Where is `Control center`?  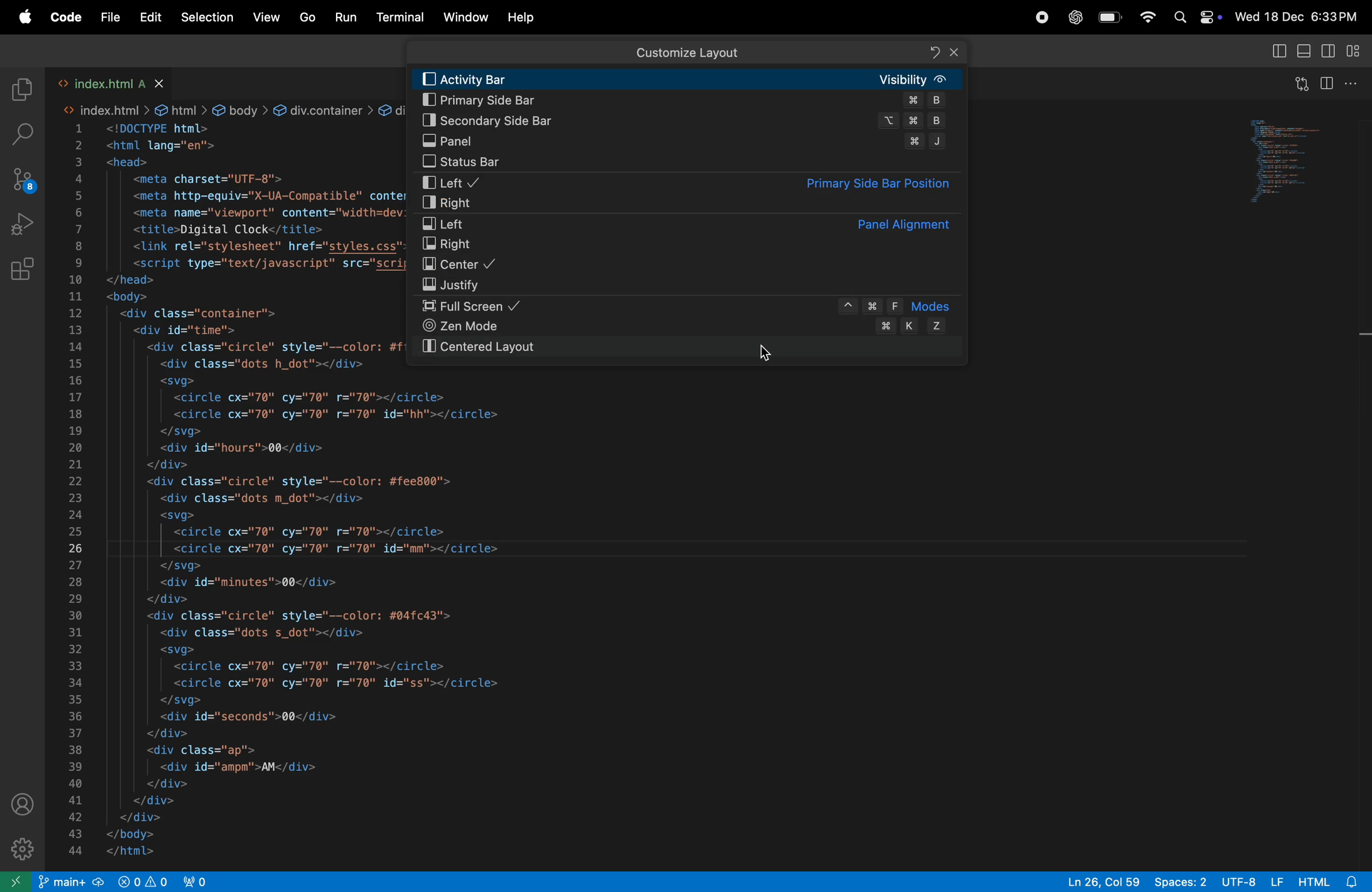 Control center is located at coordinates (1210, 18).